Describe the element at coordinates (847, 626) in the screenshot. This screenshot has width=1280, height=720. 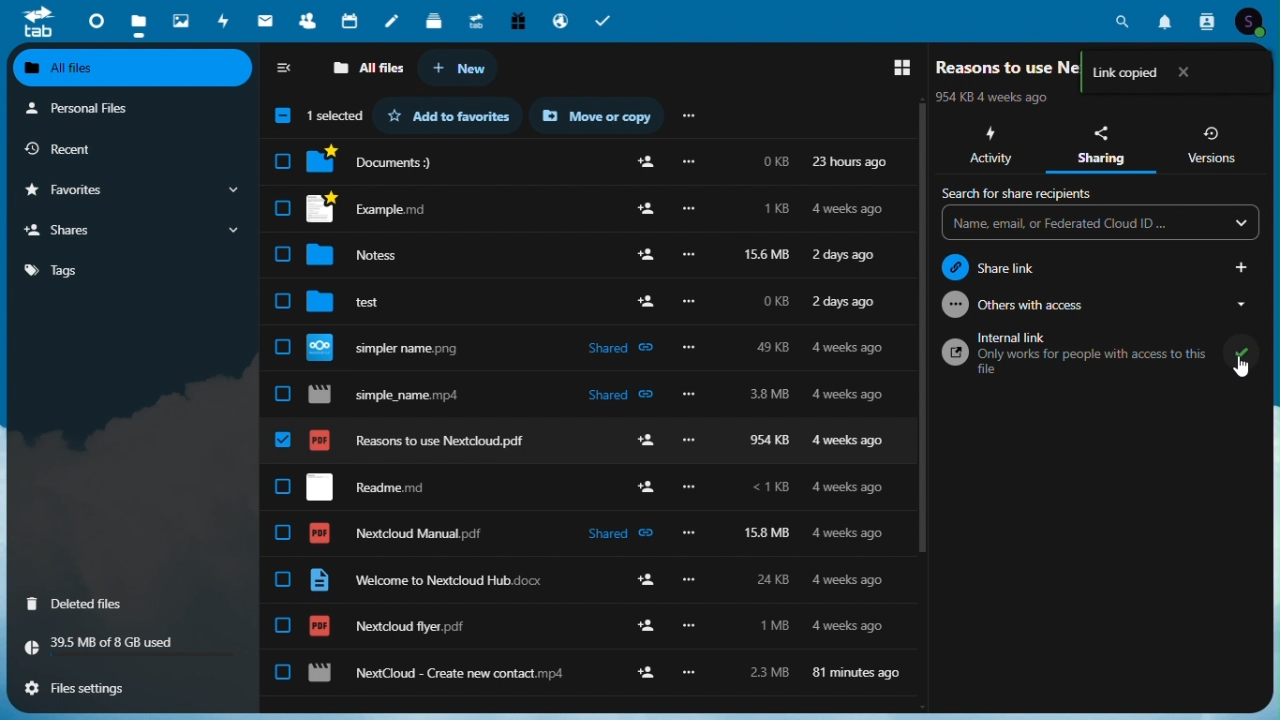
I see `4 weeks ago` at that location.